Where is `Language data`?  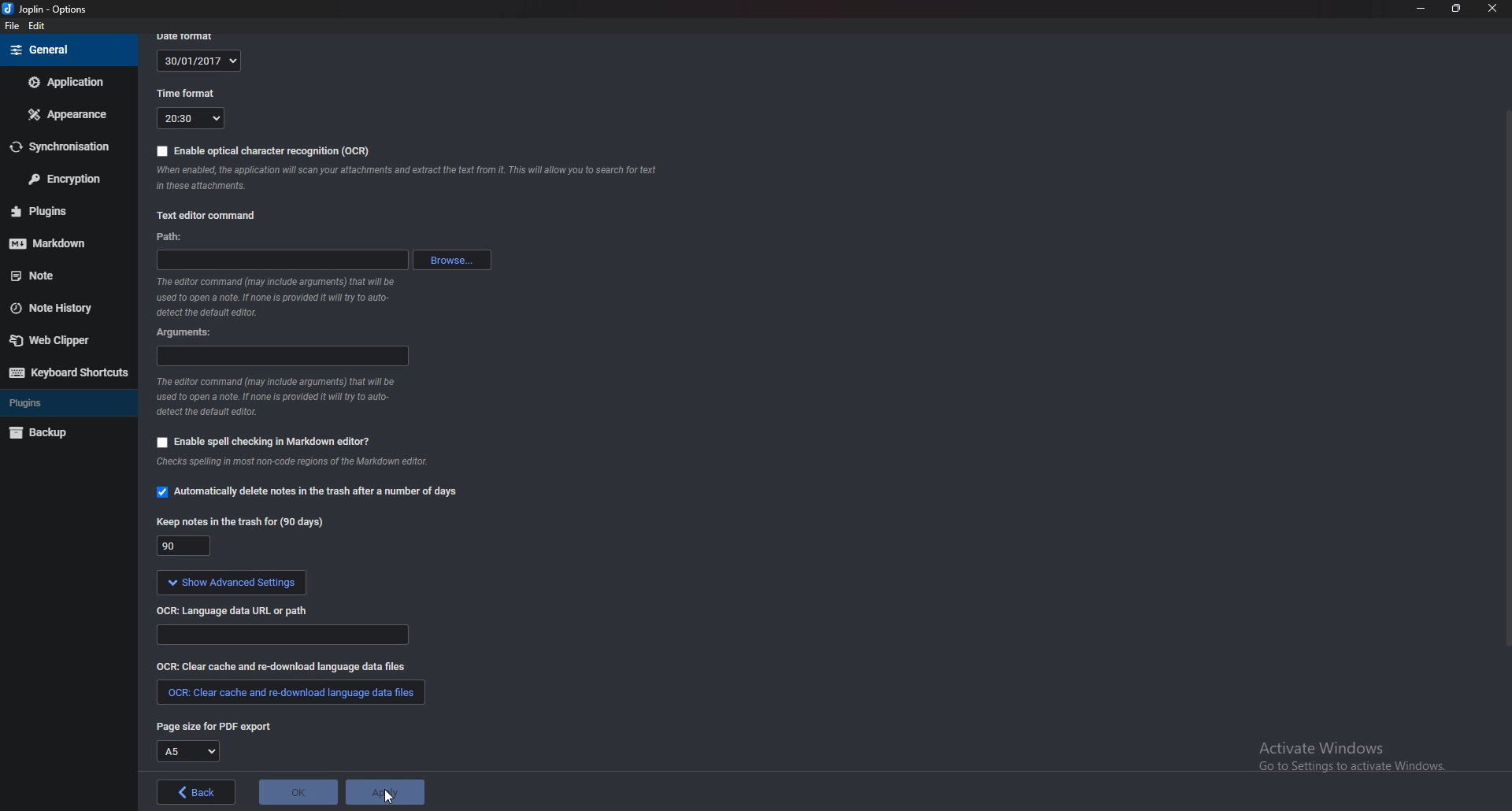 Language data is located at coordinates (280, 635).